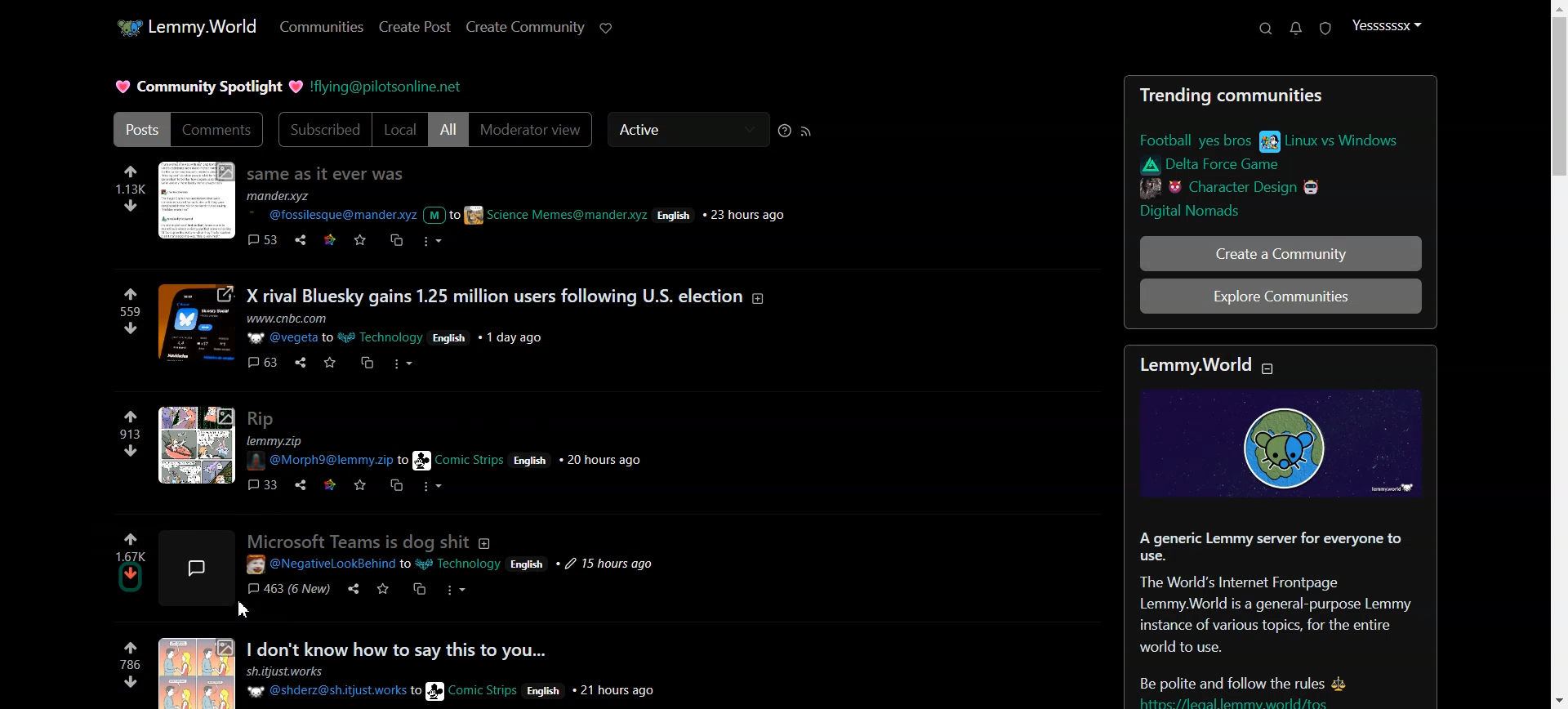 The height and width of the screenshot is (709, 1568). I want to click on Posts, so click(329, 172).